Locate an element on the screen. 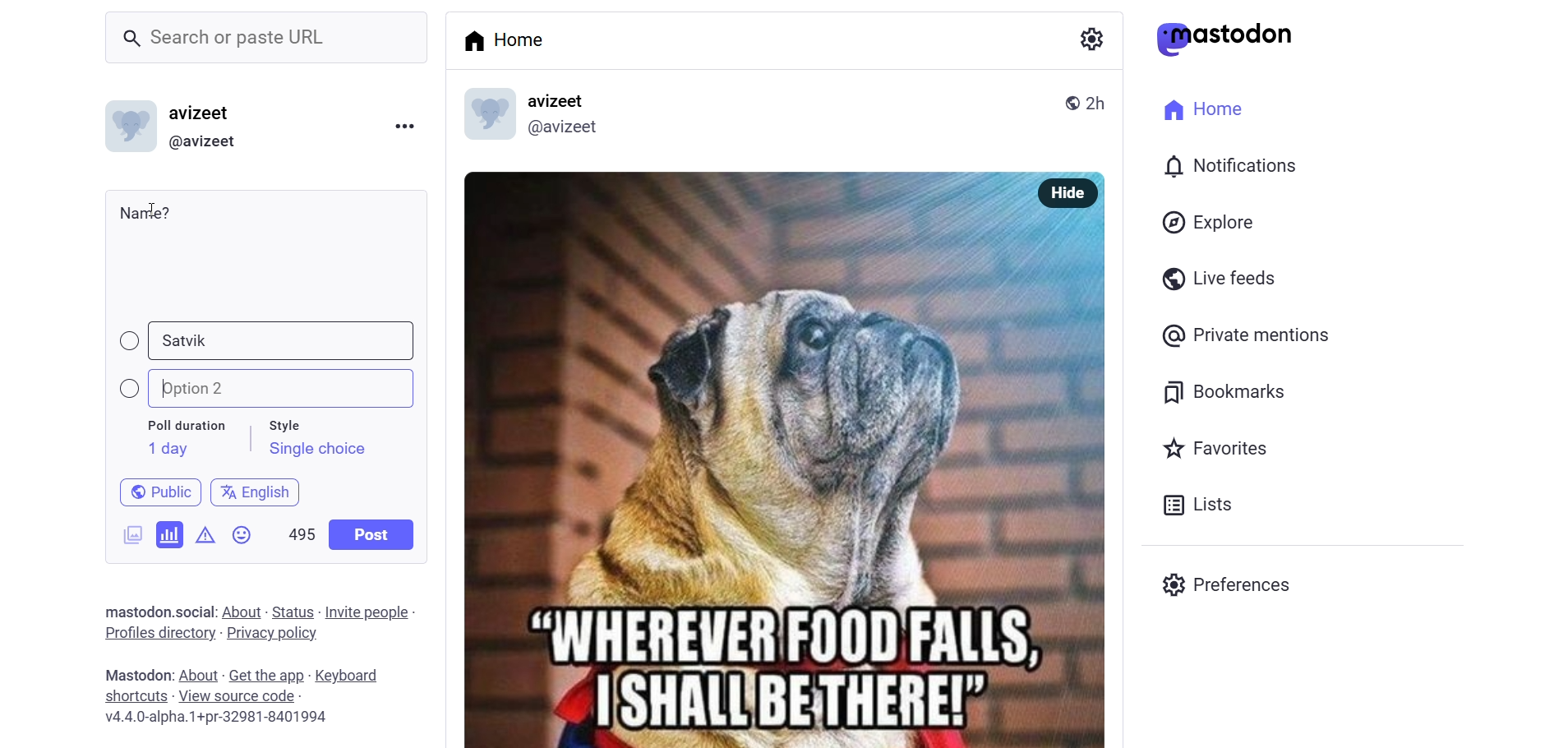 The width and height of the screenshot is (1568, 748). satvik is located at coordinates (188, 342).